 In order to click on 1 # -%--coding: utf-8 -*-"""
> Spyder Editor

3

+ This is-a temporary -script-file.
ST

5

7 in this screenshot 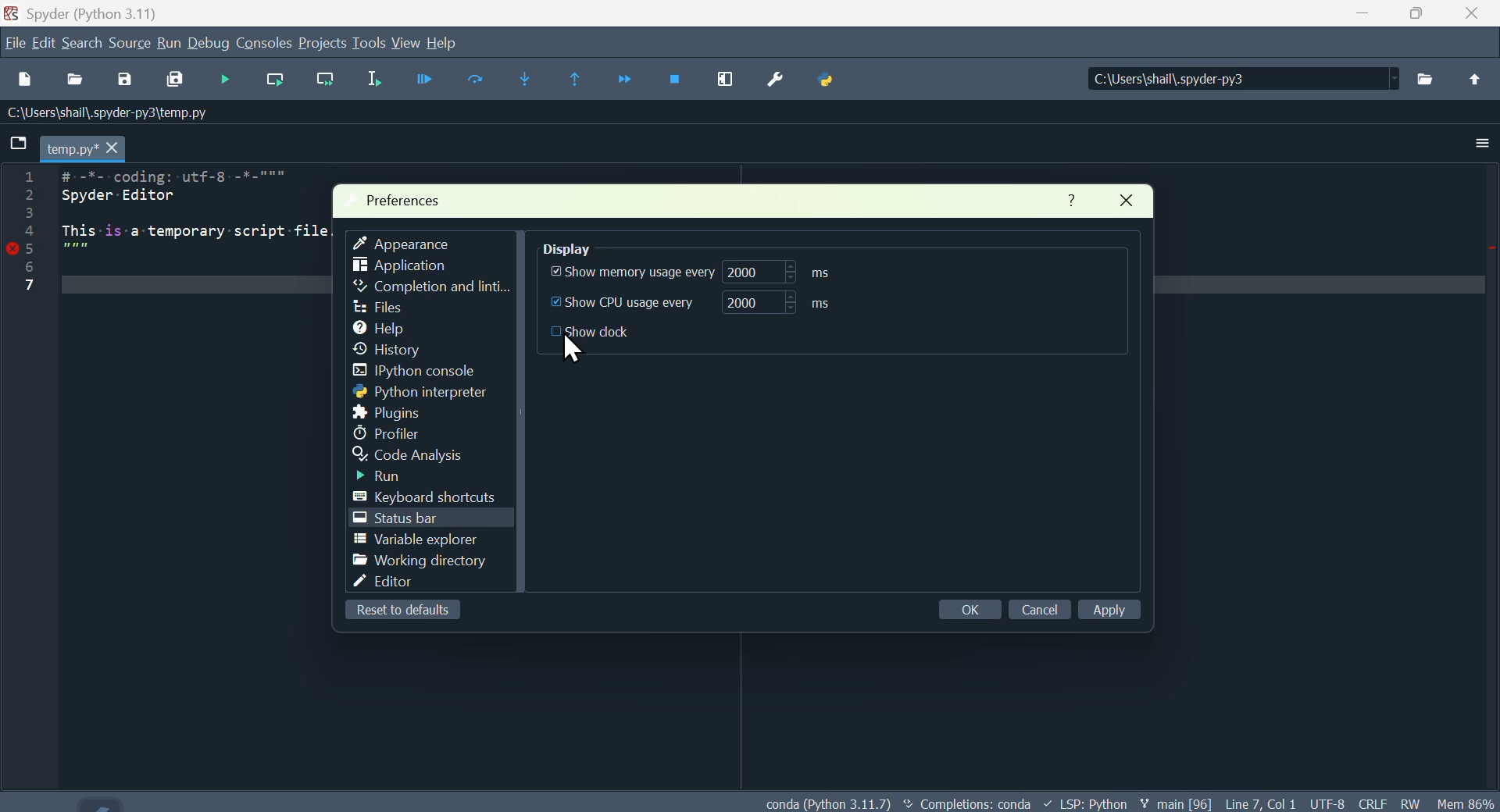, I will do `click(198, 228)`.